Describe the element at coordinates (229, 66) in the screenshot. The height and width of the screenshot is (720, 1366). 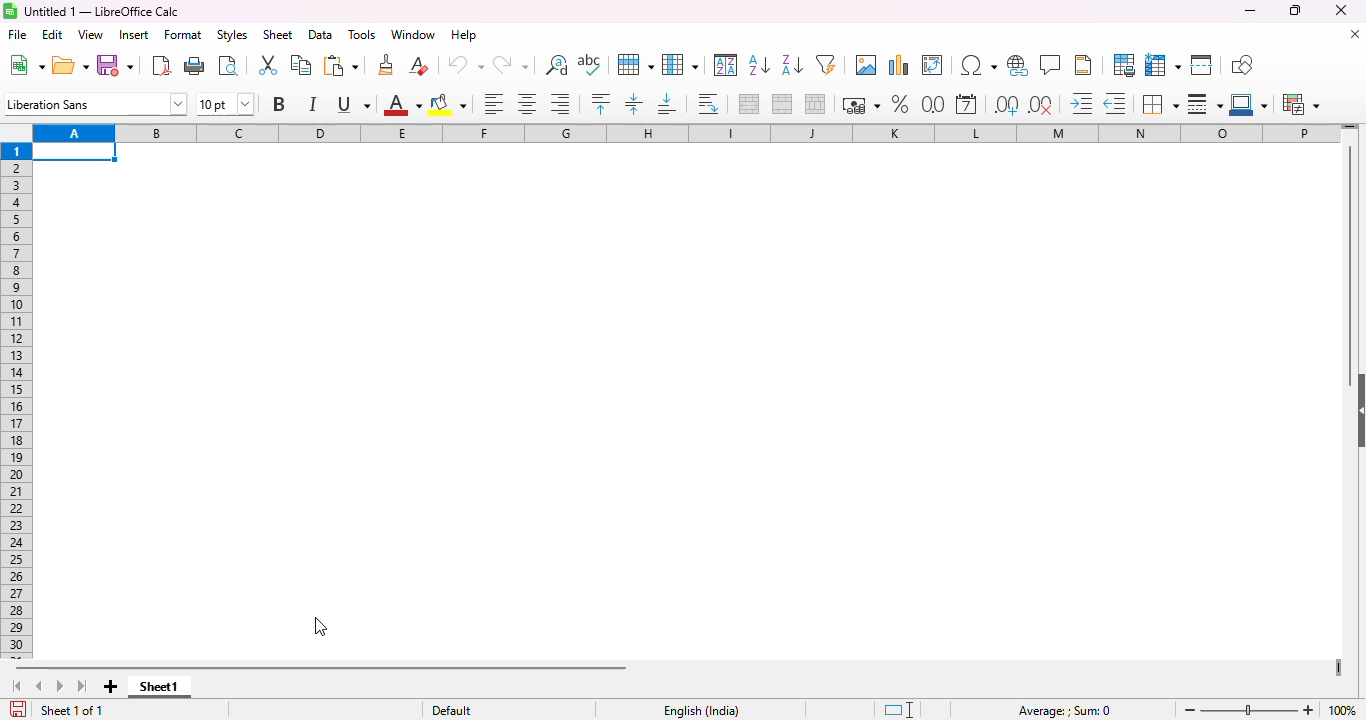
I see `toggle print preview` at that location.